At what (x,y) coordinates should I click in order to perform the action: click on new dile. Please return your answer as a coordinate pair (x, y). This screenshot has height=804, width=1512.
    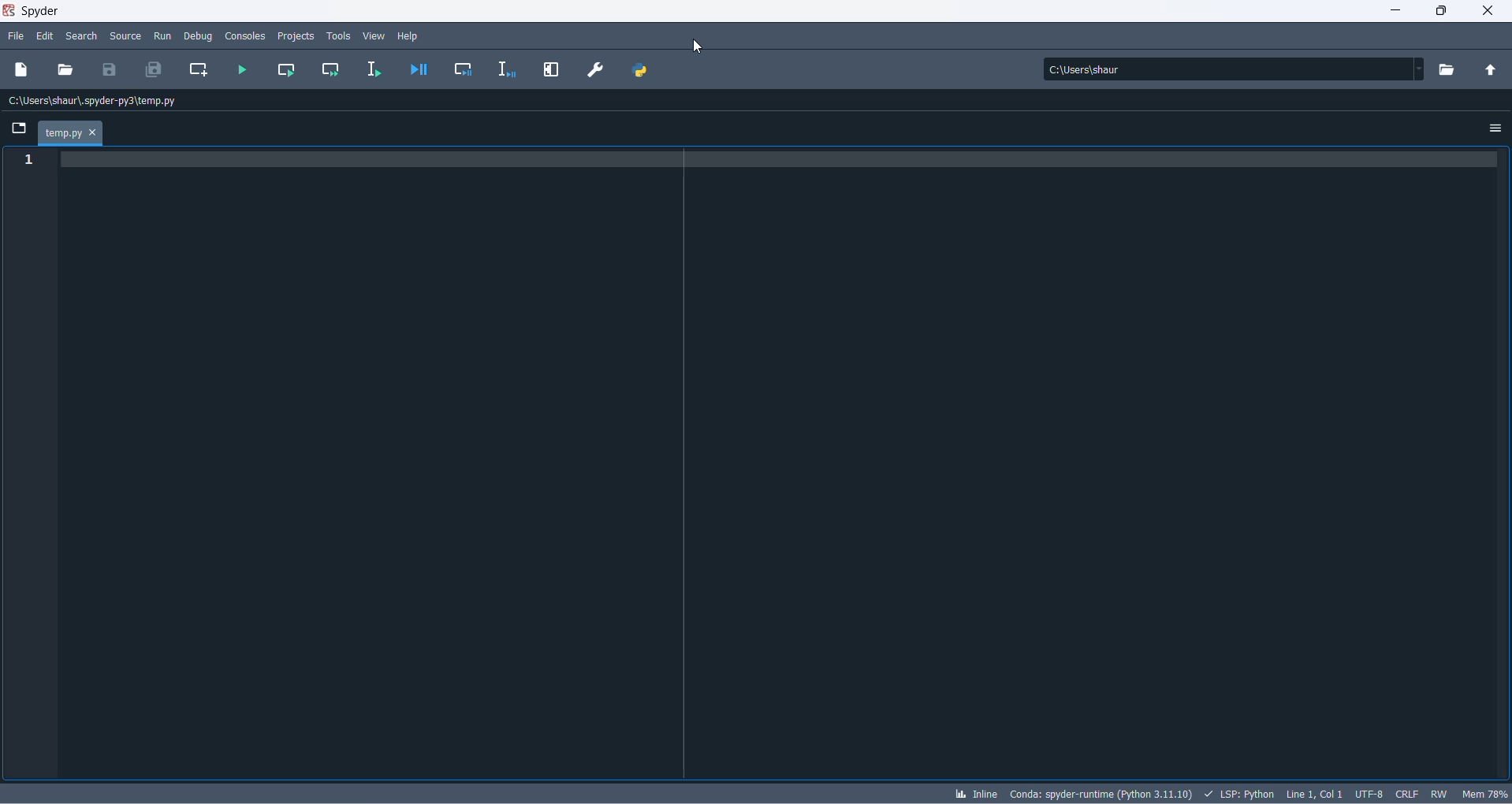
    Looking at the image, I should click on (22, 69).